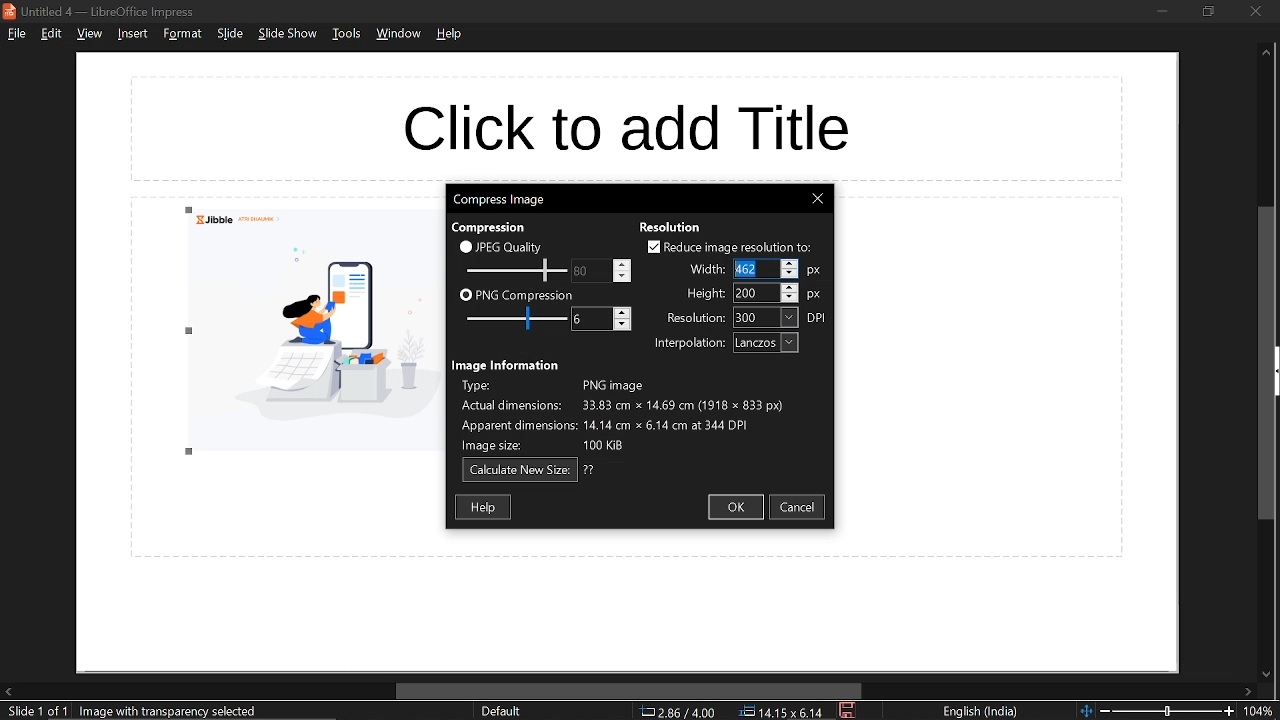 The image size is (1280, 720). I want to click on cancel, so click(800, 507).